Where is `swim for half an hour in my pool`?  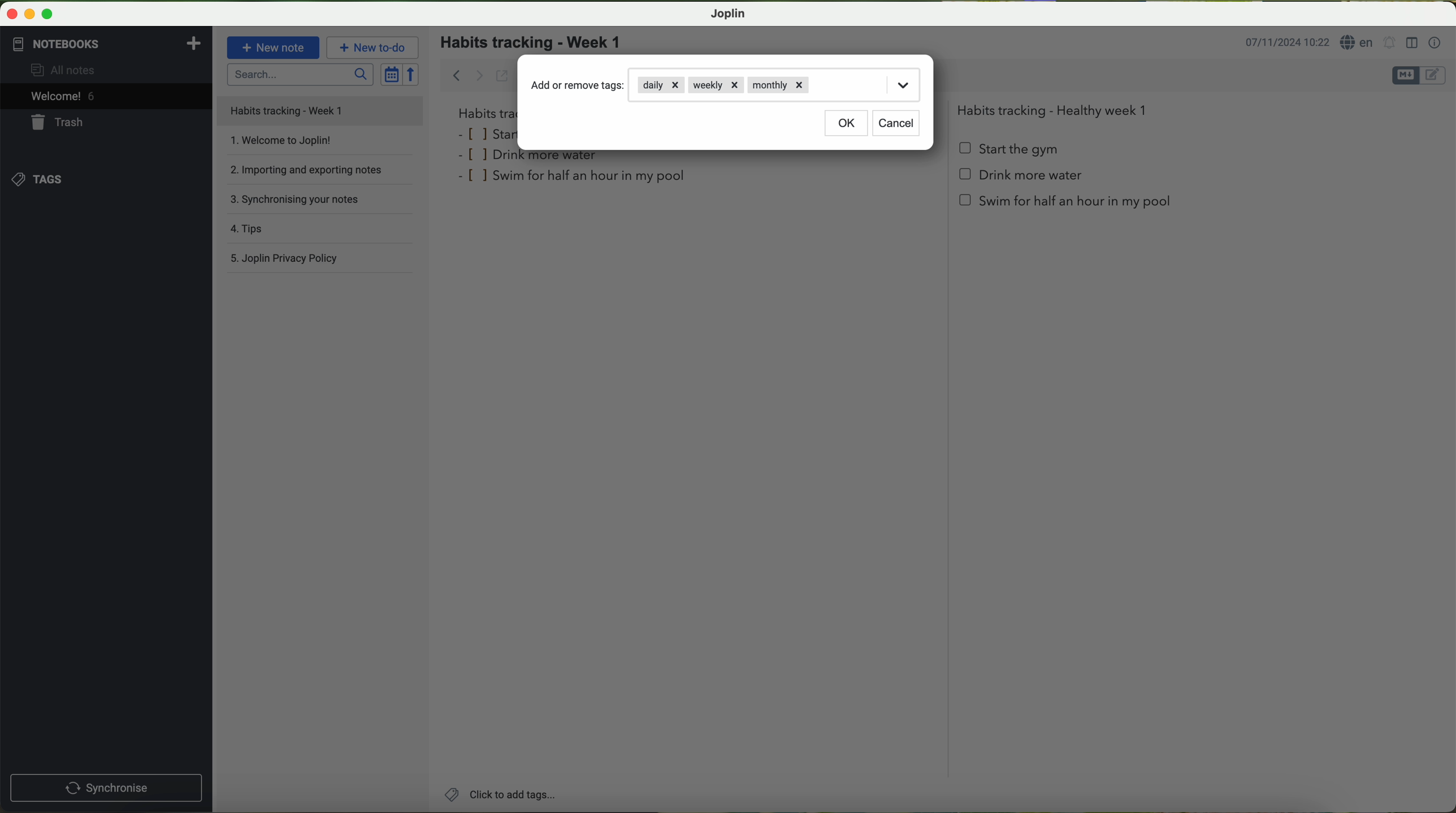 swim for half an hour in my pool is located at coordinates (1067, 205).